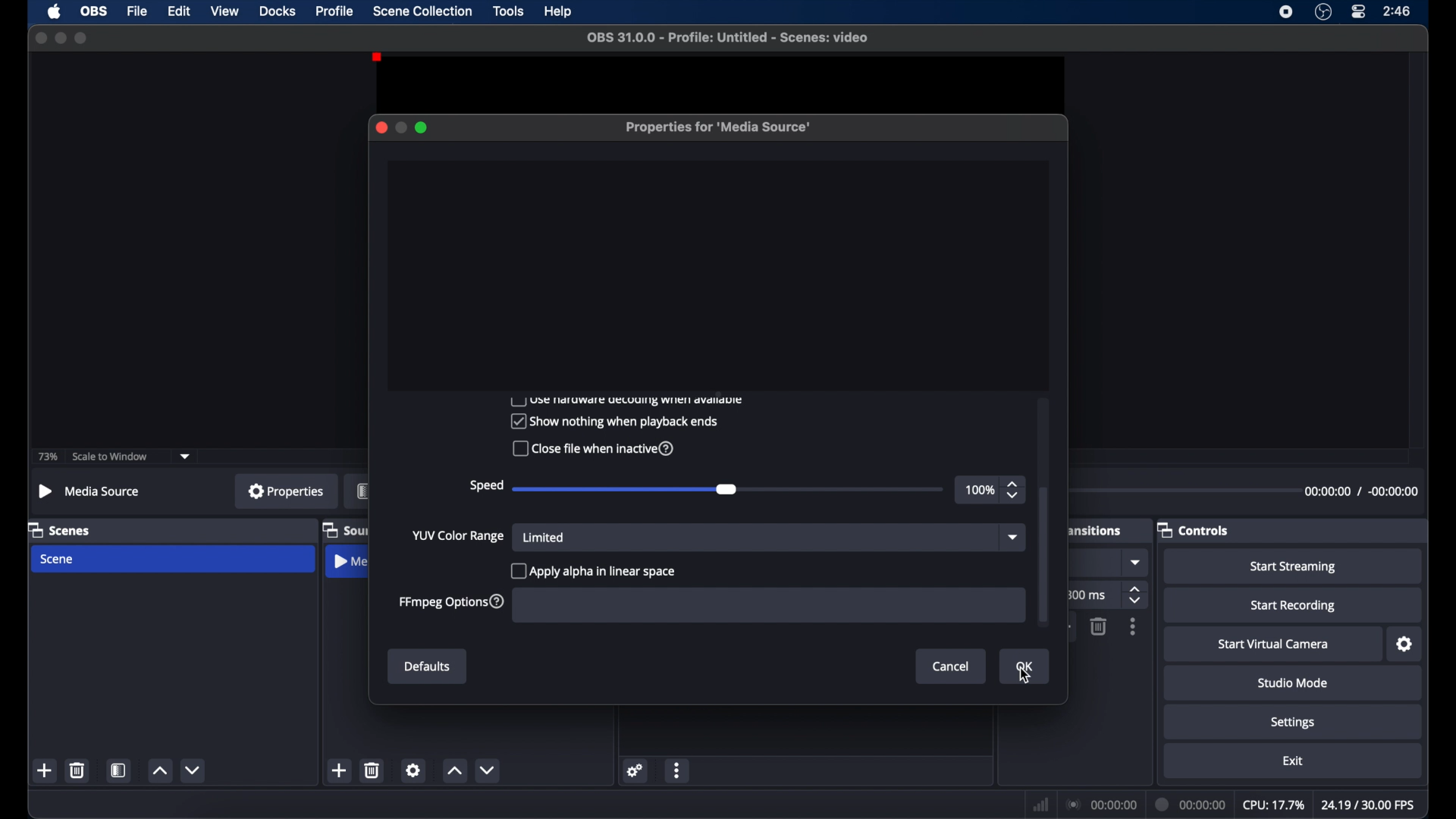  I want to click on ok, so click(1027, 667).